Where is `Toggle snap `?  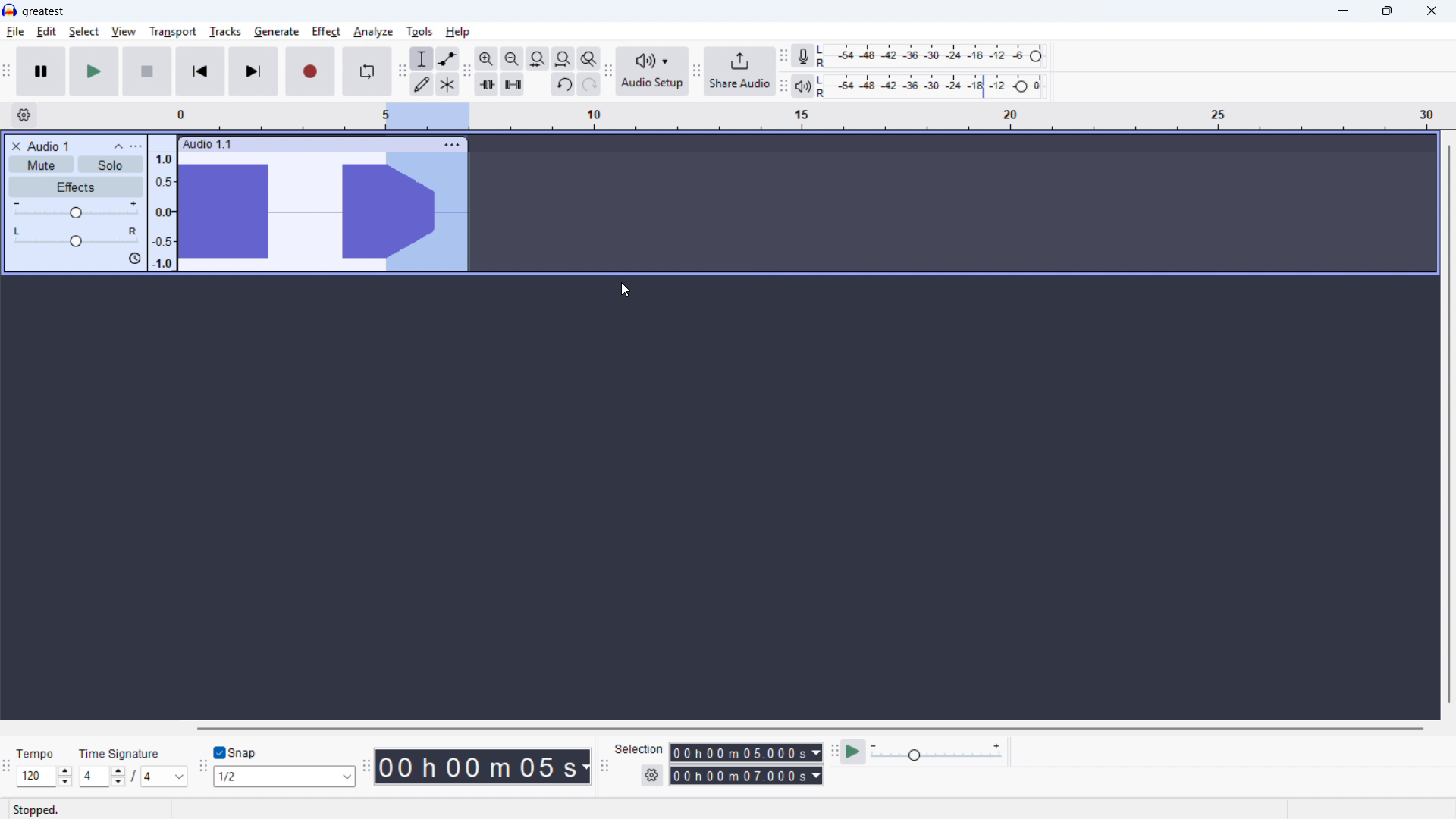
Toggle snap  is located at coordinates (238, 752).